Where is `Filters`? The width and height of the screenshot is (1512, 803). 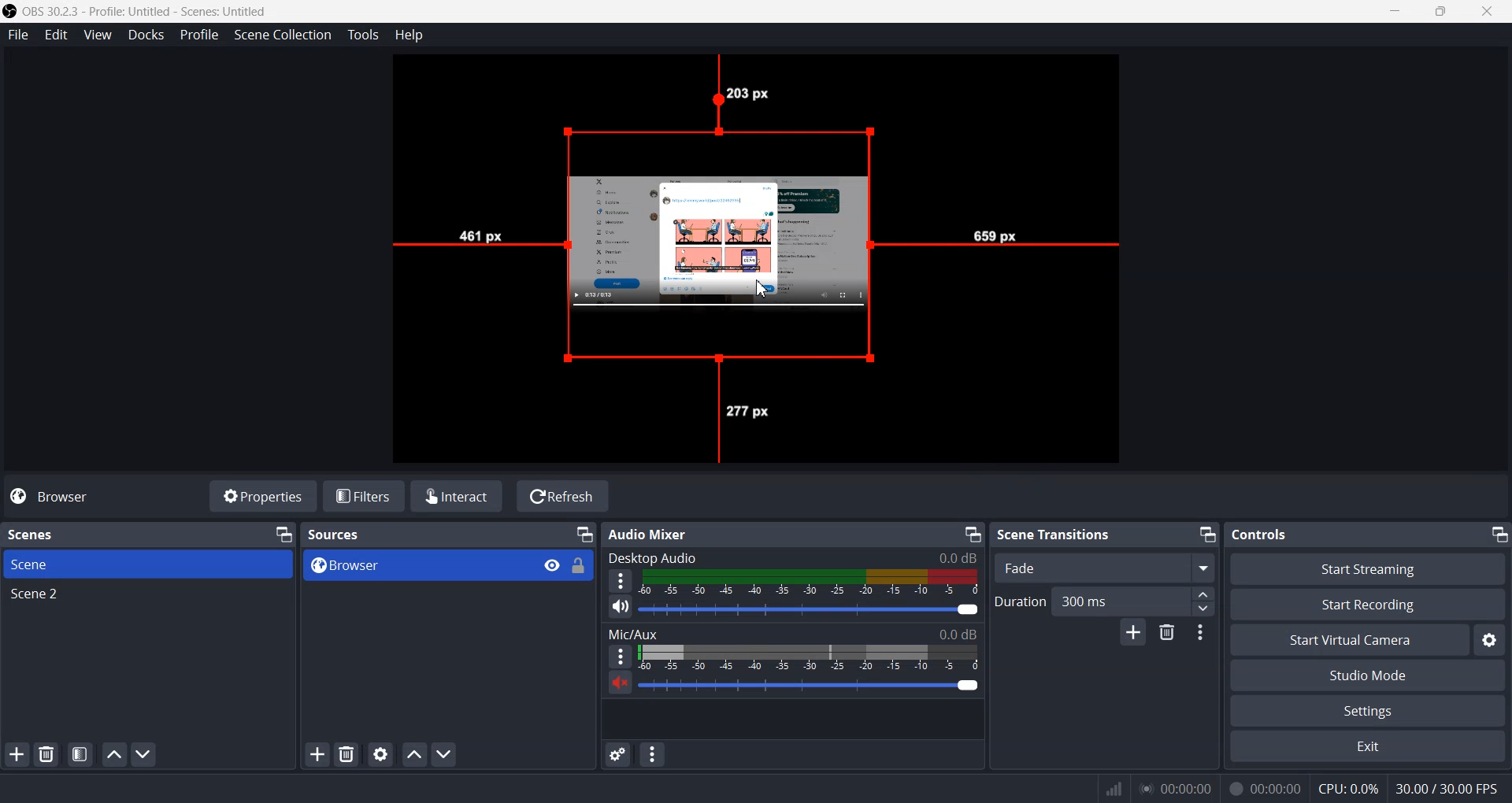 Filters is located at coordinates (365, 497).